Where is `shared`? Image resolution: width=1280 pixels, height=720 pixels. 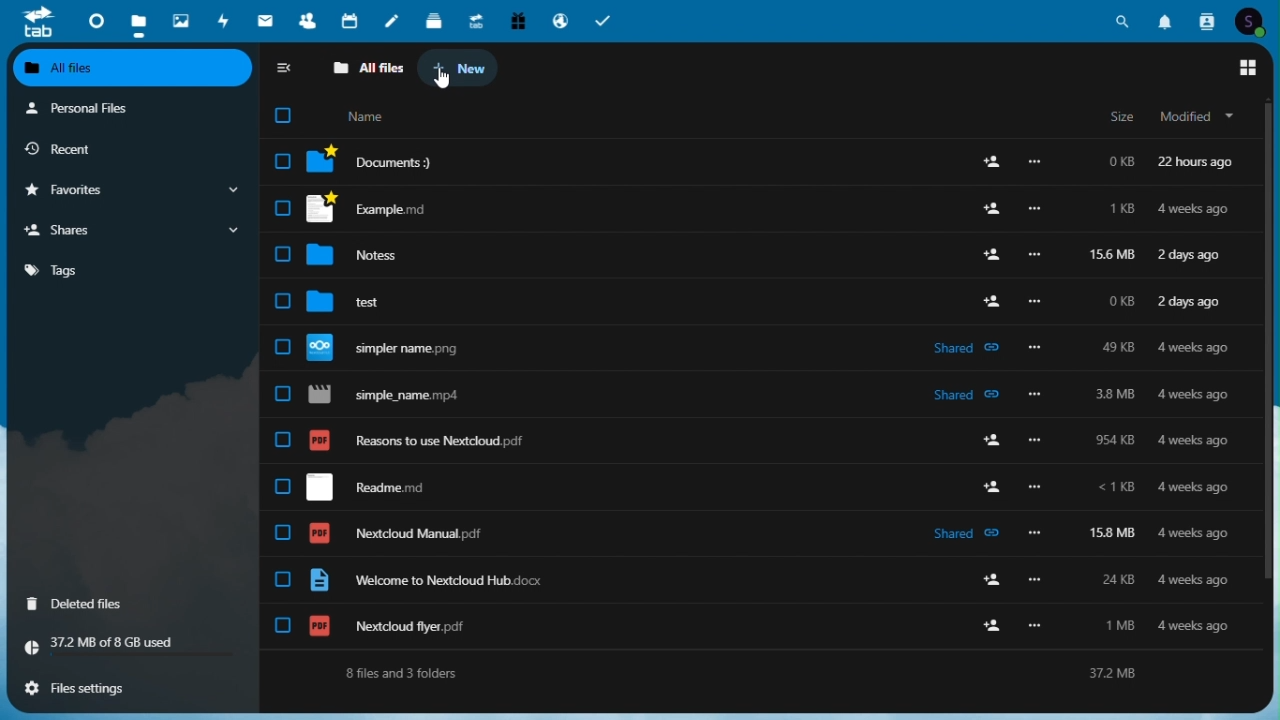 shared is located at coordinates (966, 534).